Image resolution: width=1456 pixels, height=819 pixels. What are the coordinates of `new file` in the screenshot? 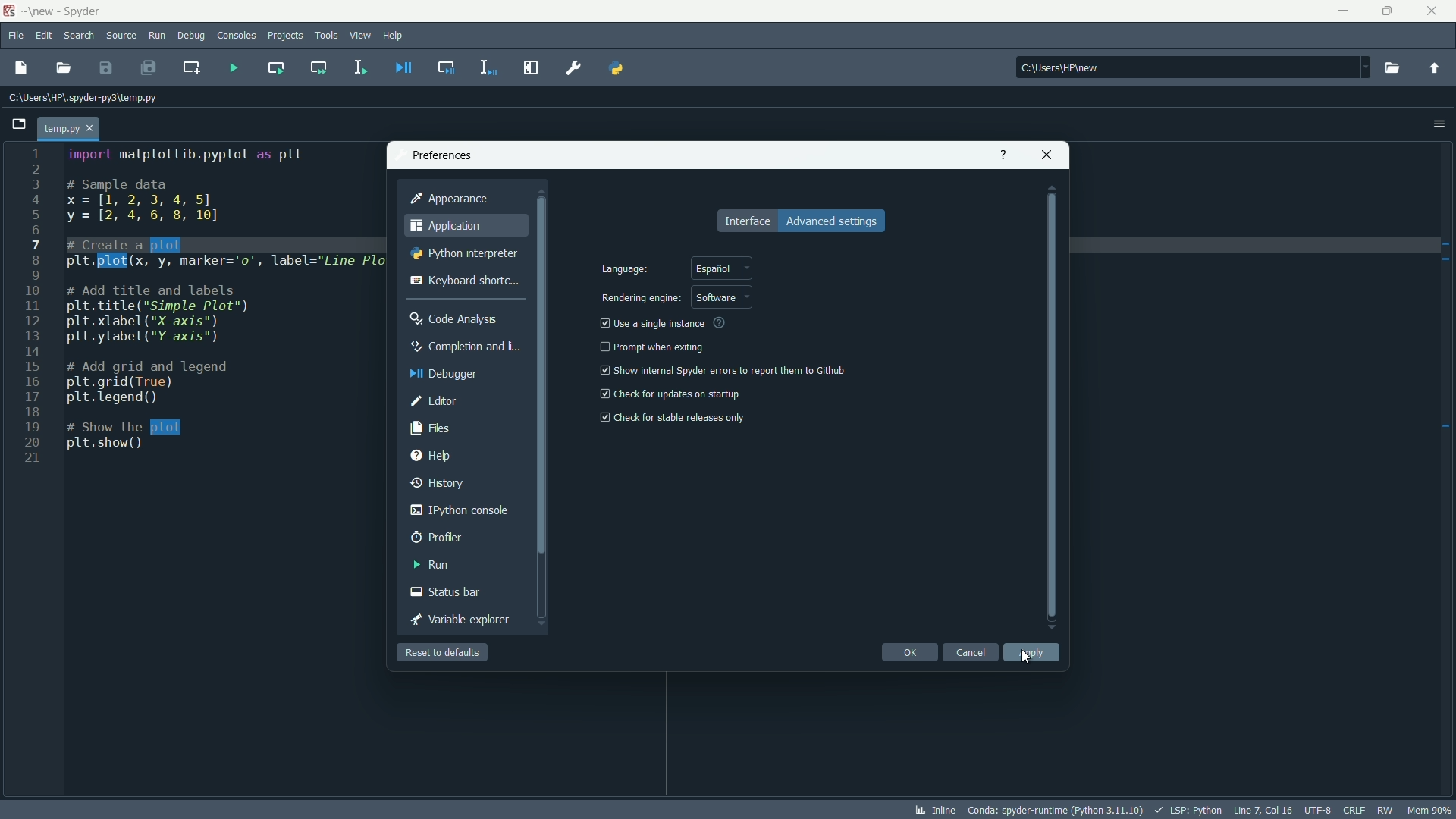 It's located at (21, 68).